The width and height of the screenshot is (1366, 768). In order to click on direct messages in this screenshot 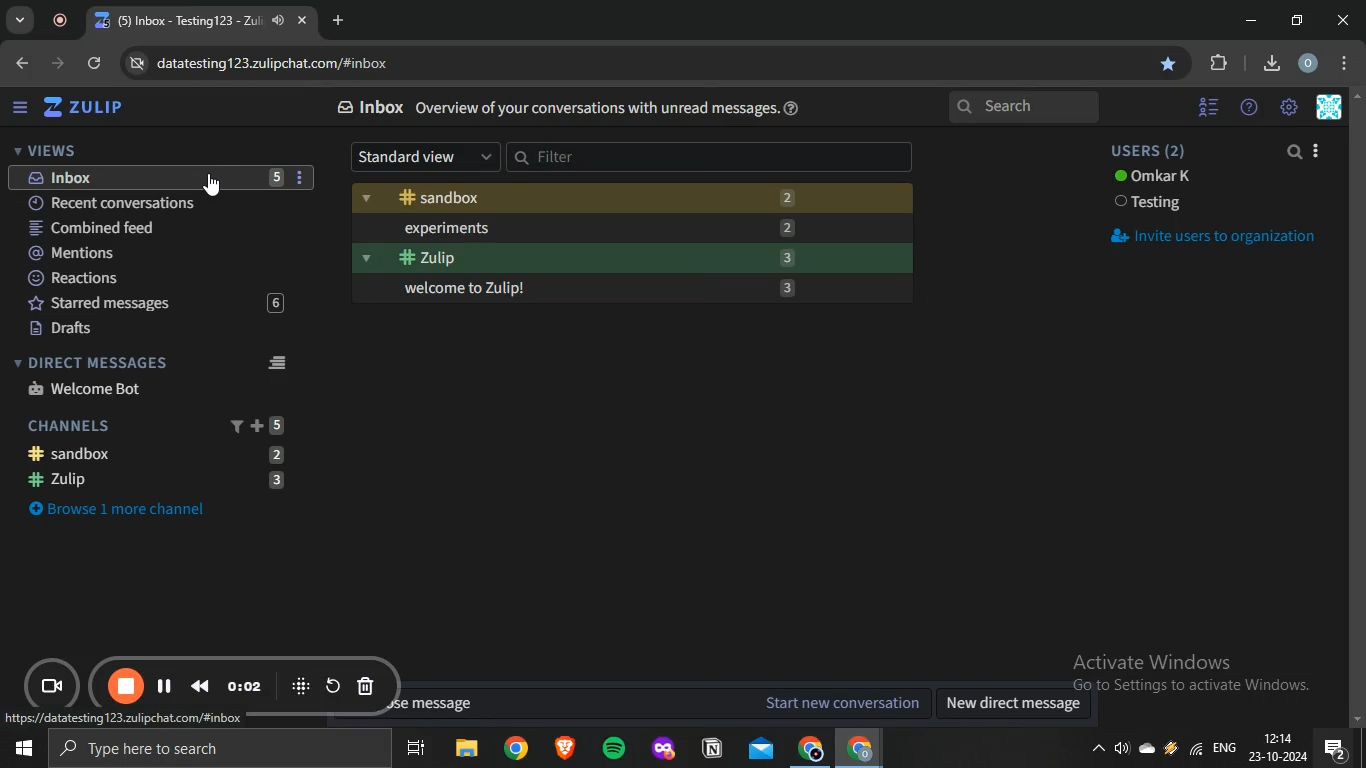, I will do `click(155, 362)`.